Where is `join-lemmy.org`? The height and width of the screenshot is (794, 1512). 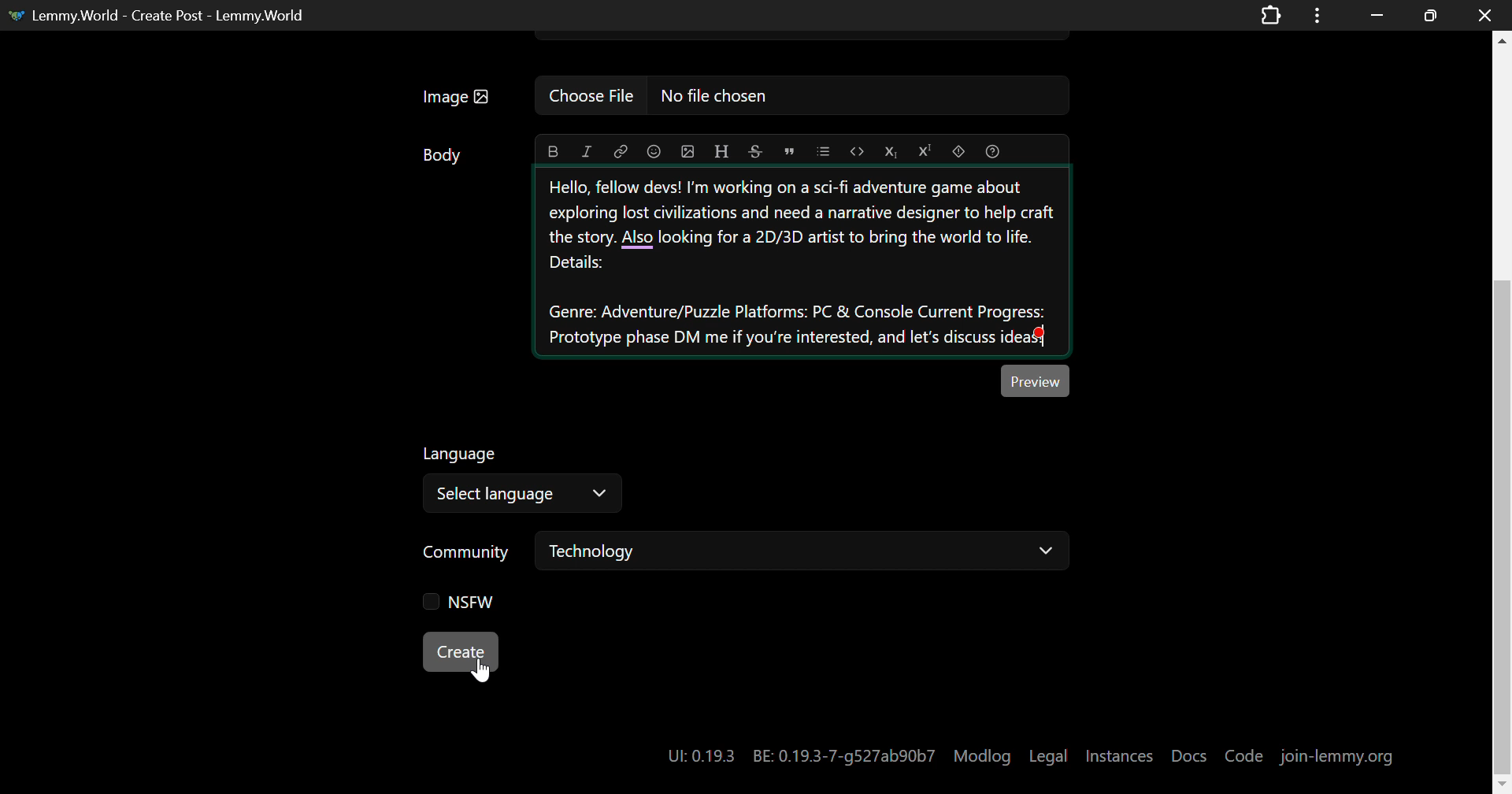 join-lemmy.org is located at coordinates (1337, 755).